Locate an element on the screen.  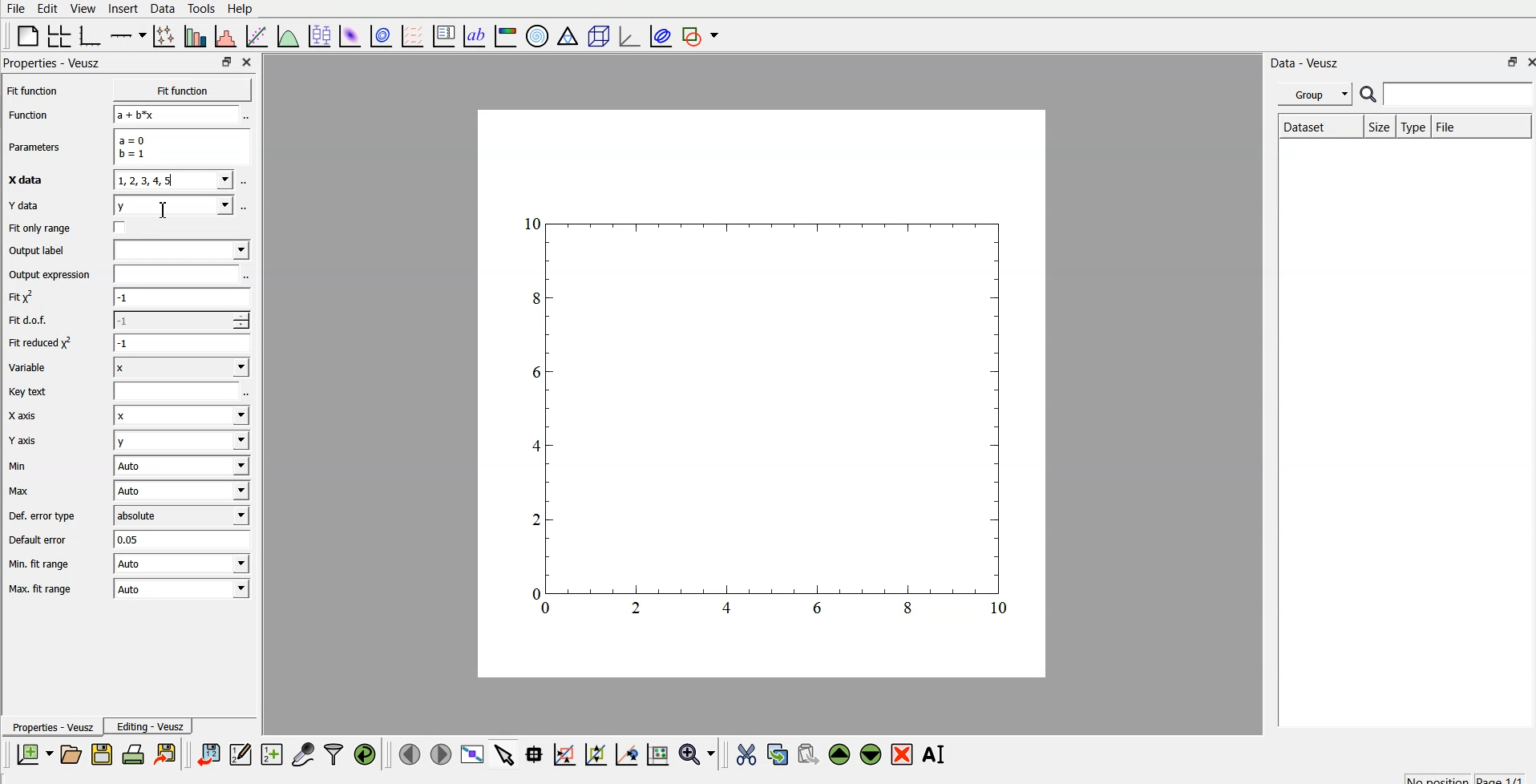
Auto is located at coordinates (184, 492).